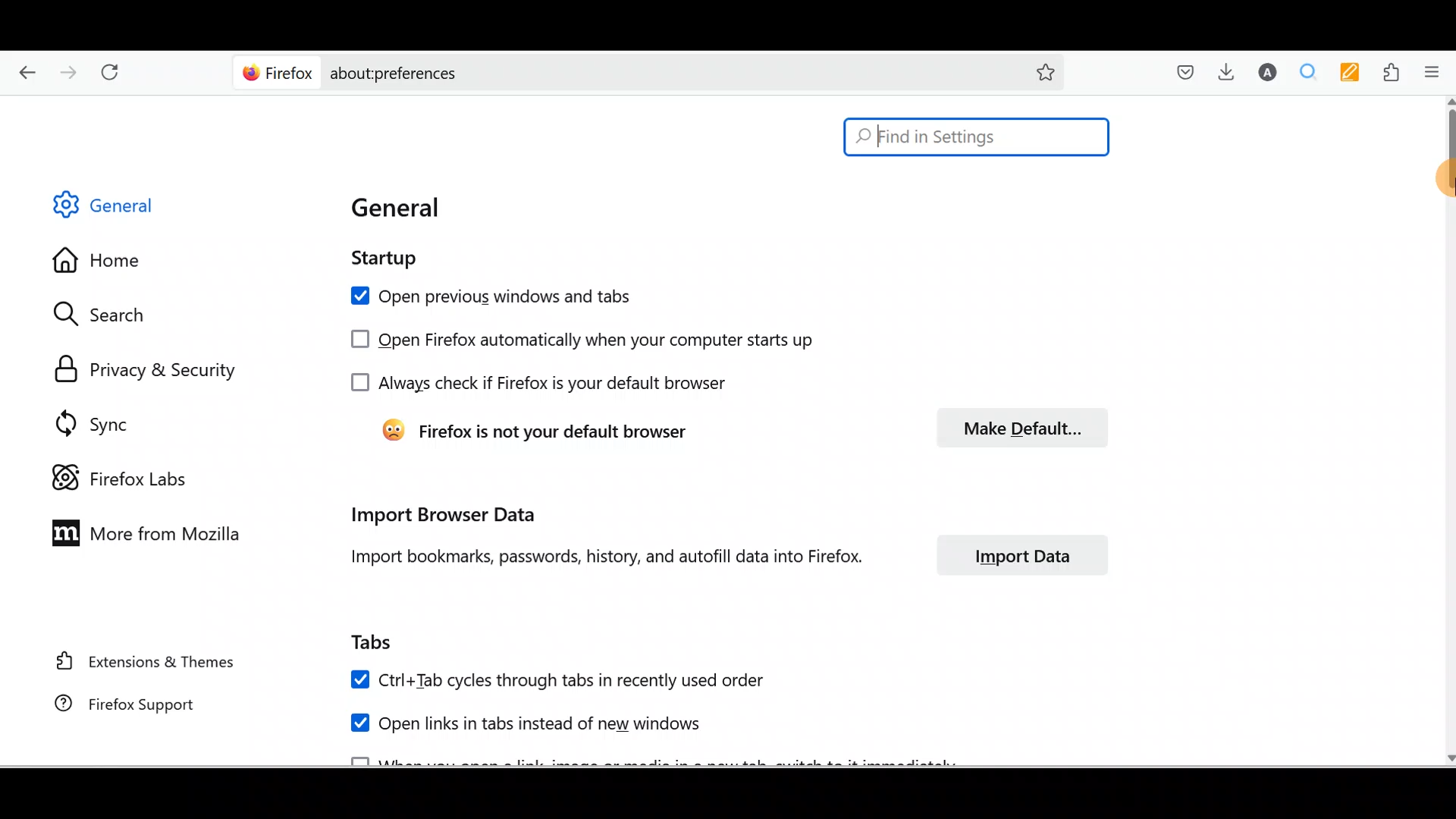 Image resolution: width=1456 pixels, height=819 pixels. Describe the element at coordinates (139, 366) in the screenshot. I see `Privacy and security settings` at that location.